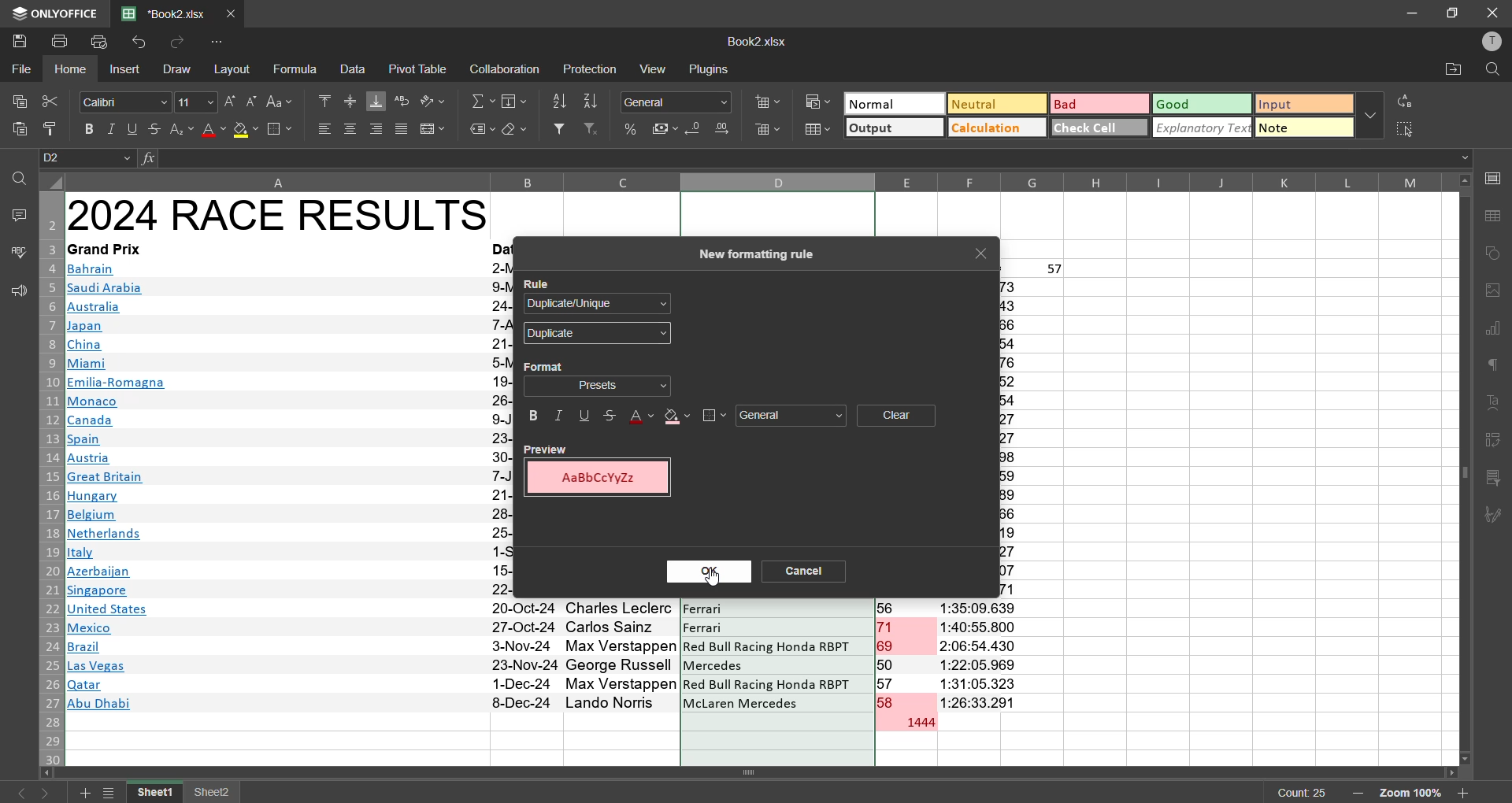 The width and height of the screenshot is (1512, 803). What do you see at coordinates (1464, 469) in the screenshot?
I see `scrollbar` at bounding box center [1464, 469].